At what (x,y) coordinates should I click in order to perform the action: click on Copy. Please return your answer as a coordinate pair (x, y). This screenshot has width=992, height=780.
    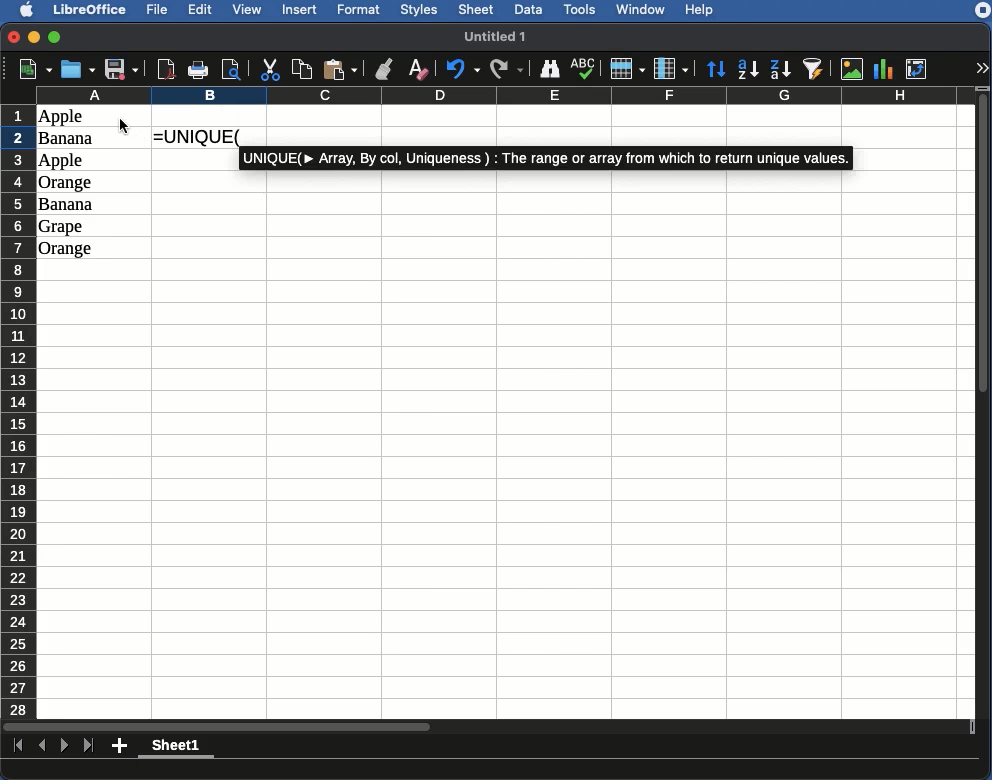
    Looking at the image, I should click on (302, 69).